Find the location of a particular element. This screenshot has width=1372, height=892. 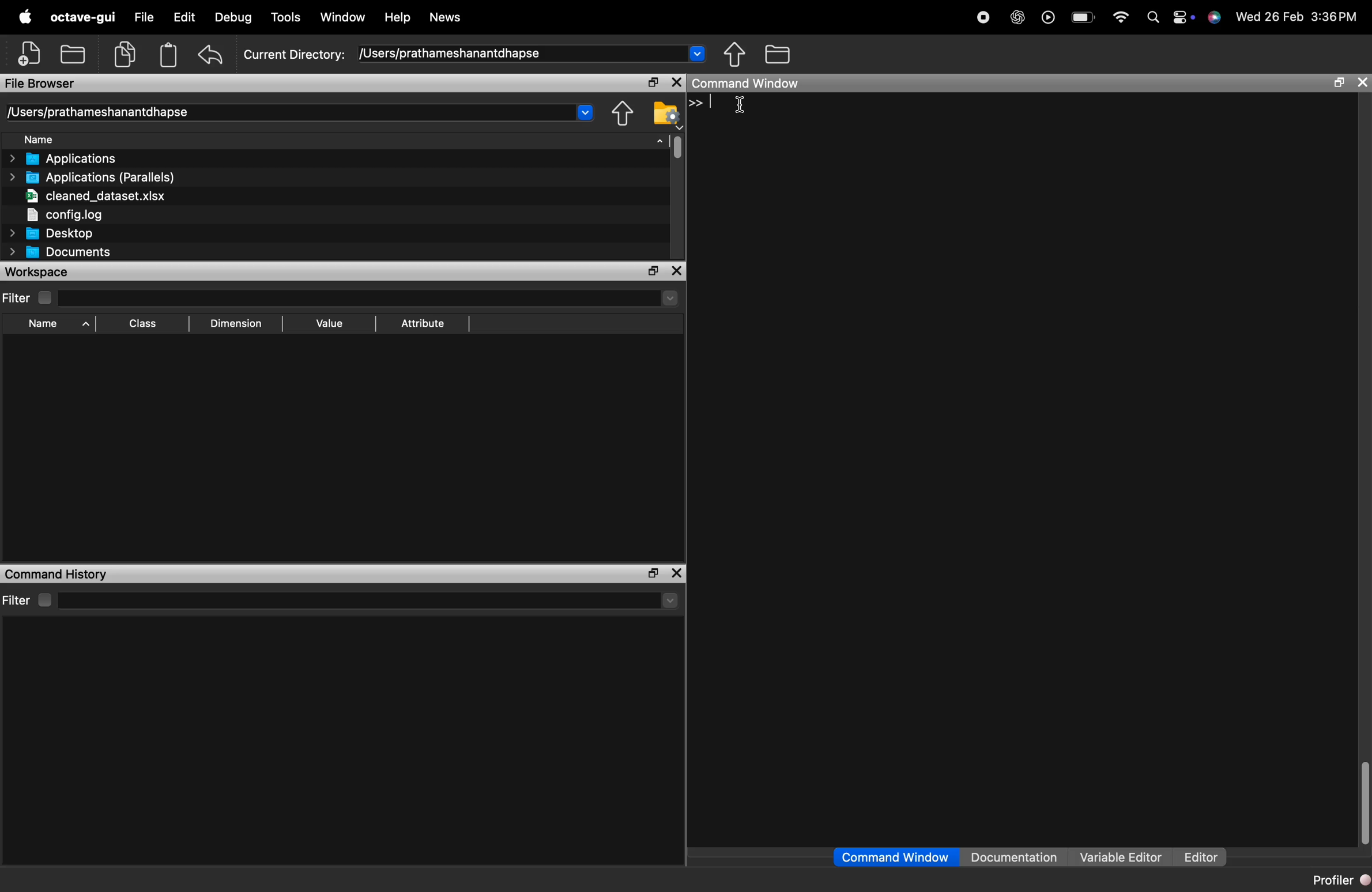

/Users/prathameshanantdhapse ~ is located at coordinates (529, 54).